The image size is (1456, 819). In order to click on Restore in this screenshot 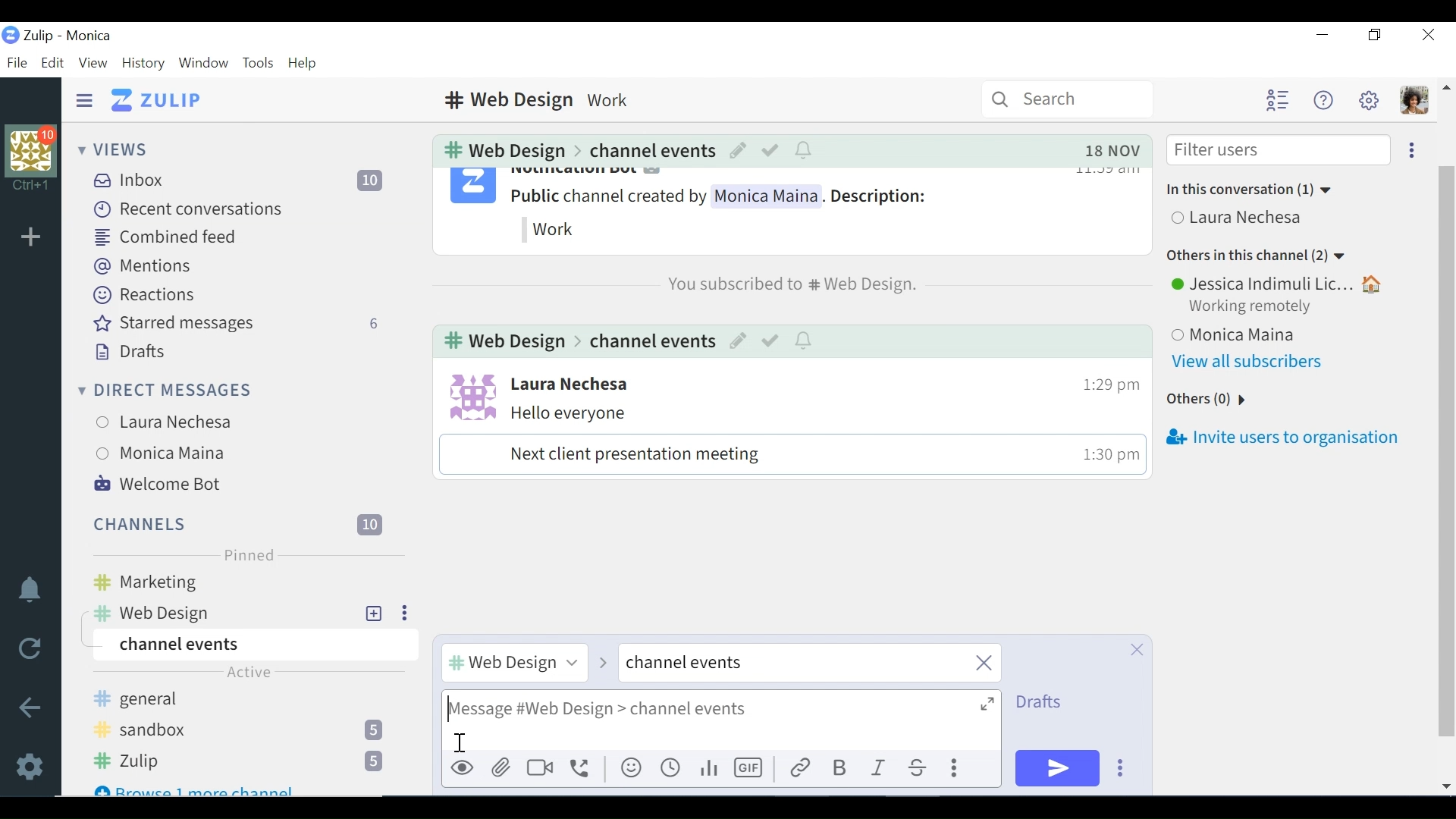, I will do `click(1376, 36)`.